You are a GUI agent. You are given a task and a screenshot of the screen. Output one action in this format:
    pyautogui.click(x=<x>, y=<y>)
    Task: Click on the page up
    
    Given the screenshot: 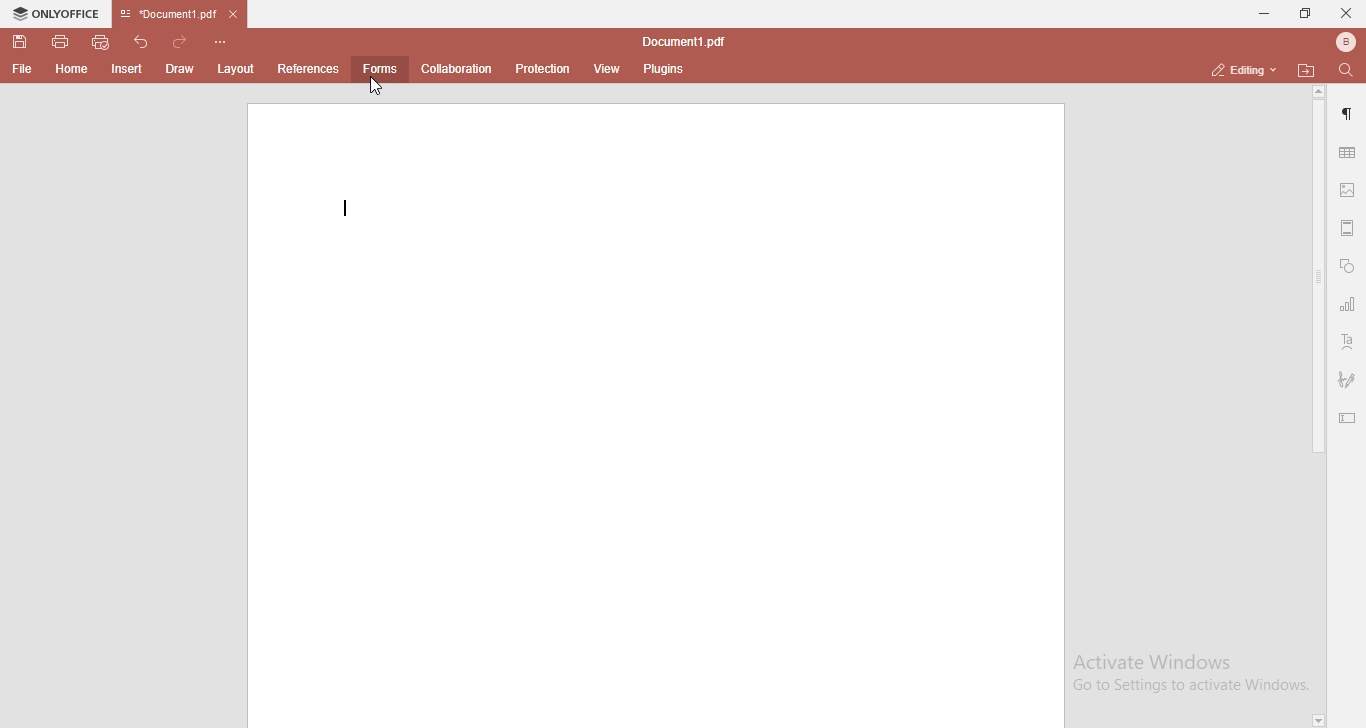 What is the action you would take?
    pyautogui.click(x=1318, y=90)
    